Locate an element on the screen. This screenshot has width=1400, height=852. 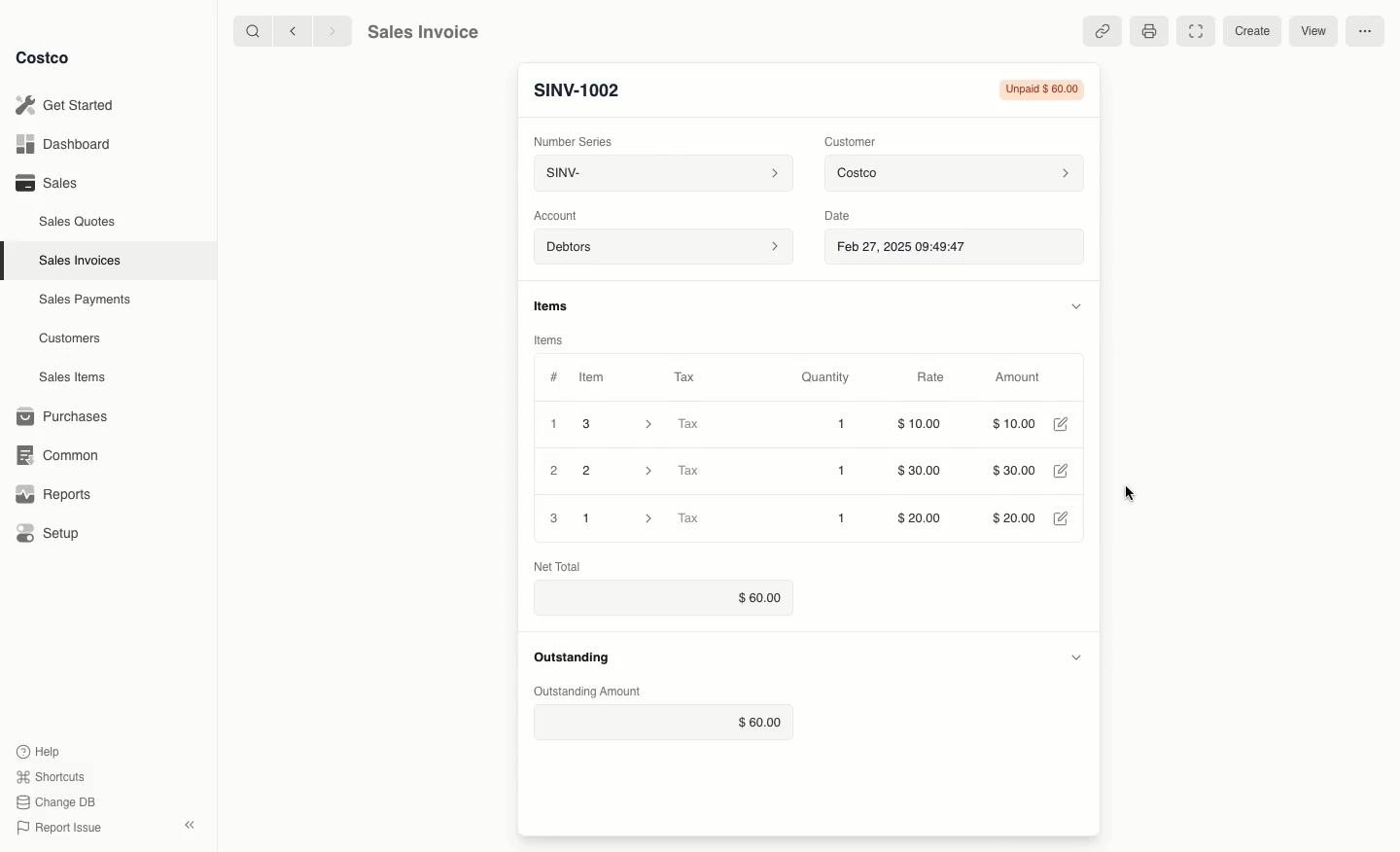
Tax is located at coordinates (713, 425).